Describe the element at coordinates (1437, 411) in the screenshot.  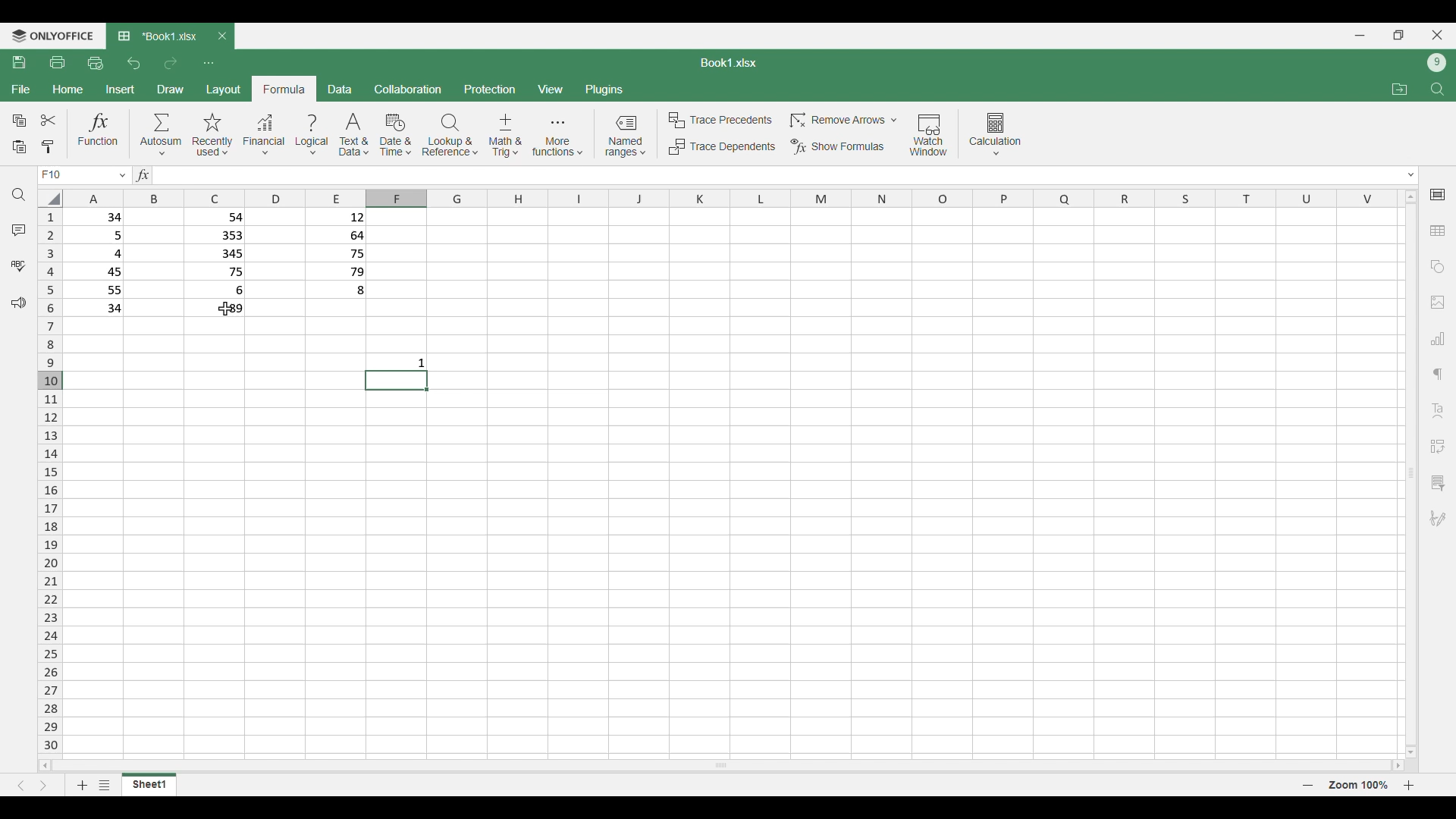
I see `Text art` at that location.